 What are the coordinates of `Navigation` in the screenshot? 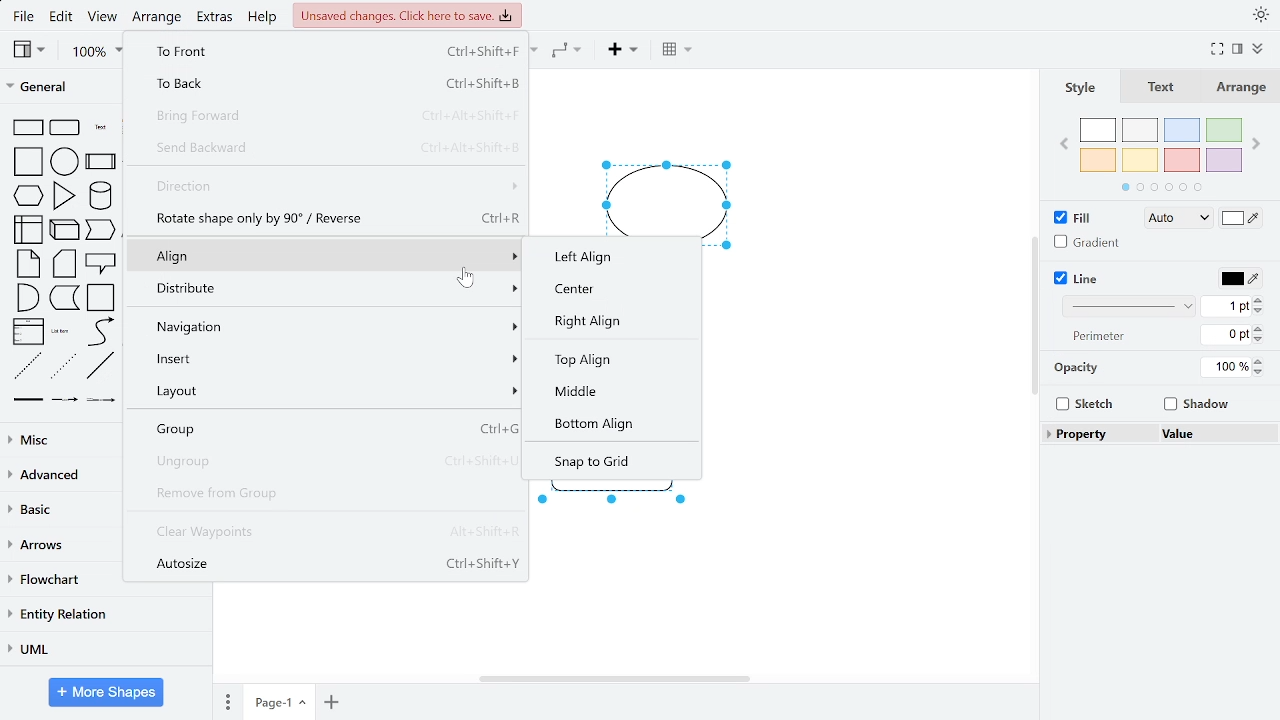 It's located at (326, 327).